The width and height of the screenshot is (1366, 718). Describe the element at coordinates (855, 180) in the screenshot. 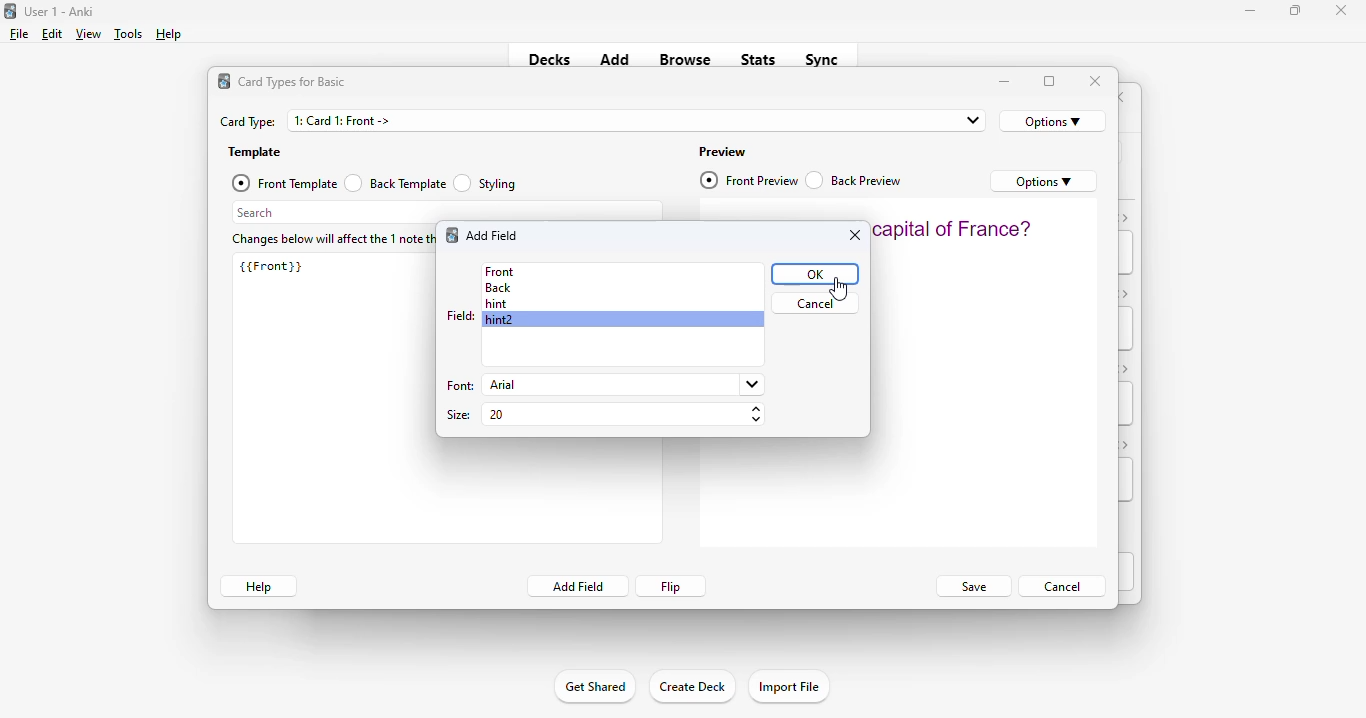

I see `back preview` at that location.